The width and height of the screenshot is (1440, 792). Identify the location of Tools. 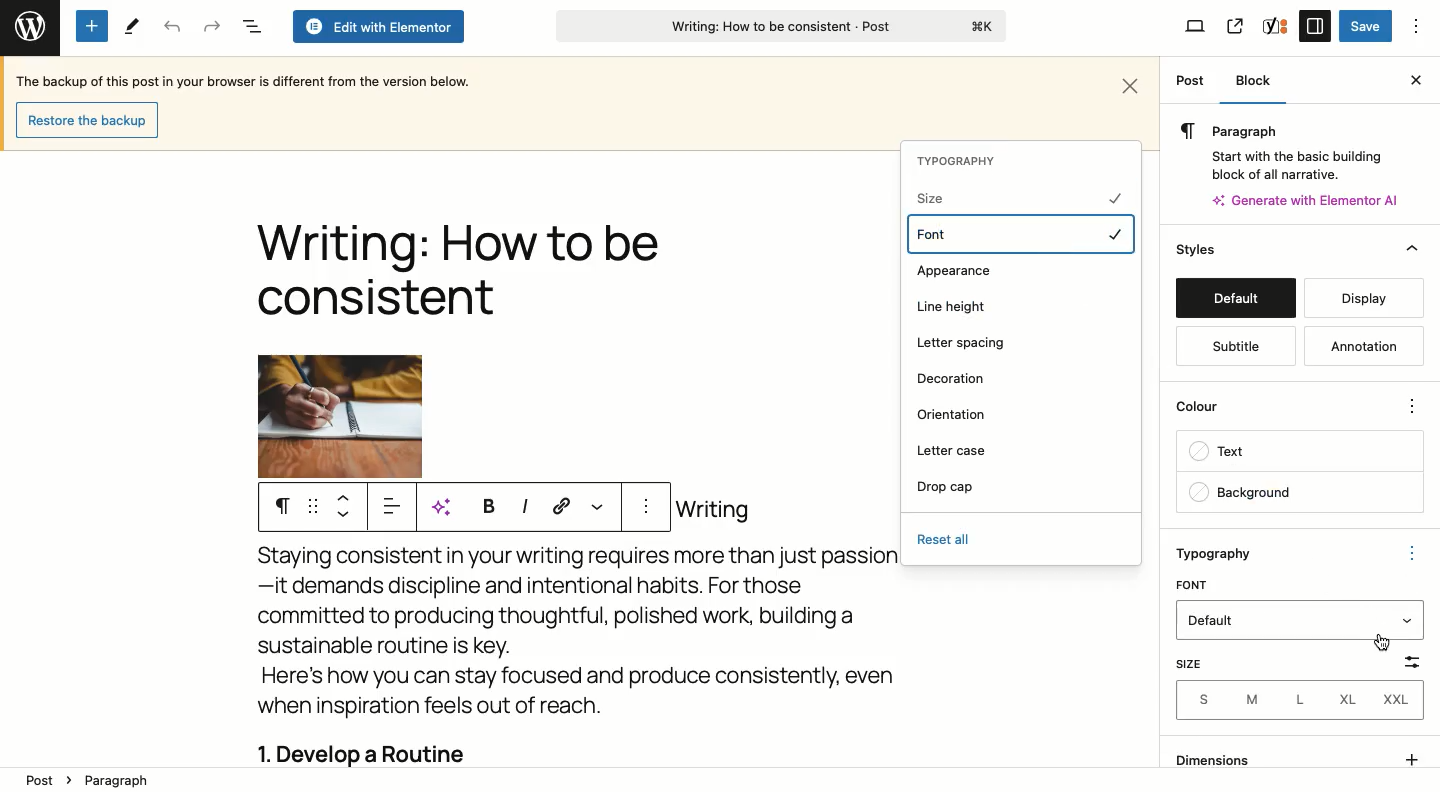
(130, 27).